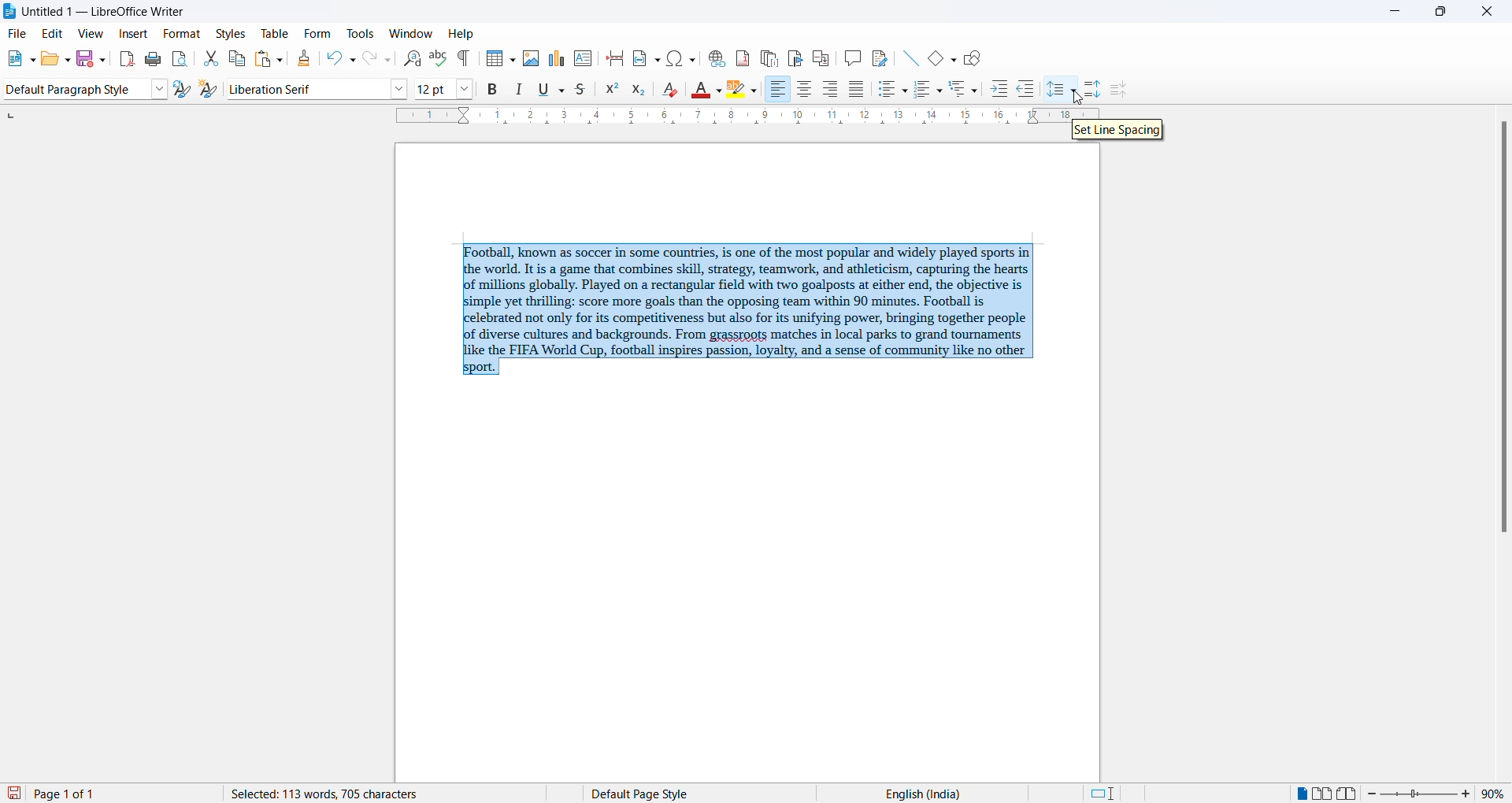 The height and width of the screenshot is (803, 1512). I want to click on set line spacing hover text, so click(1118, 129).